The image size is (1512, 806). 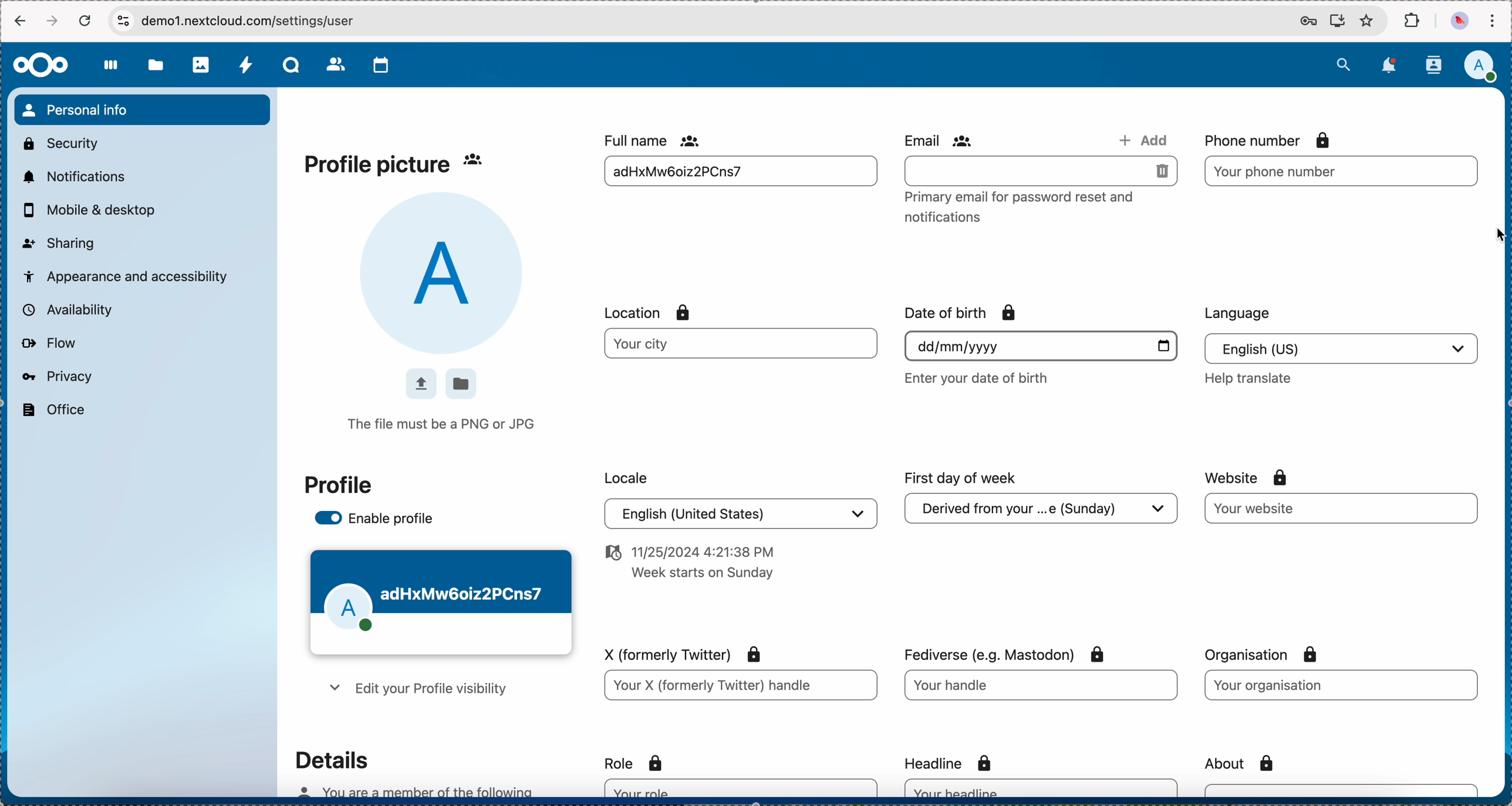 What do you see at coordinates (59, 242) in the screenshot?
I see `sharing` at bounding box center [59, 242].